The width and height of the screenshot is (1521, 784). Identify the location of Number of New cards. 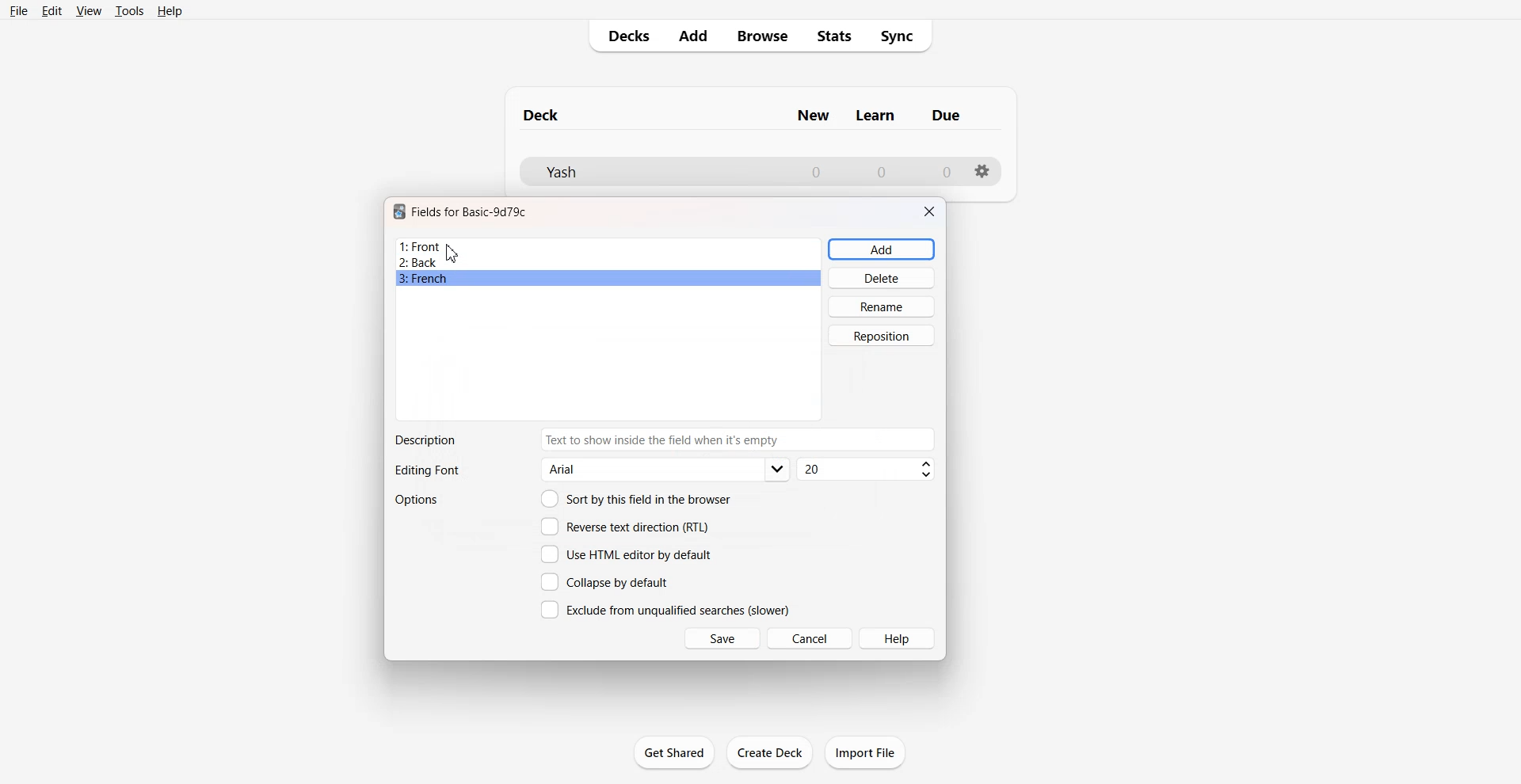
(816, 172).